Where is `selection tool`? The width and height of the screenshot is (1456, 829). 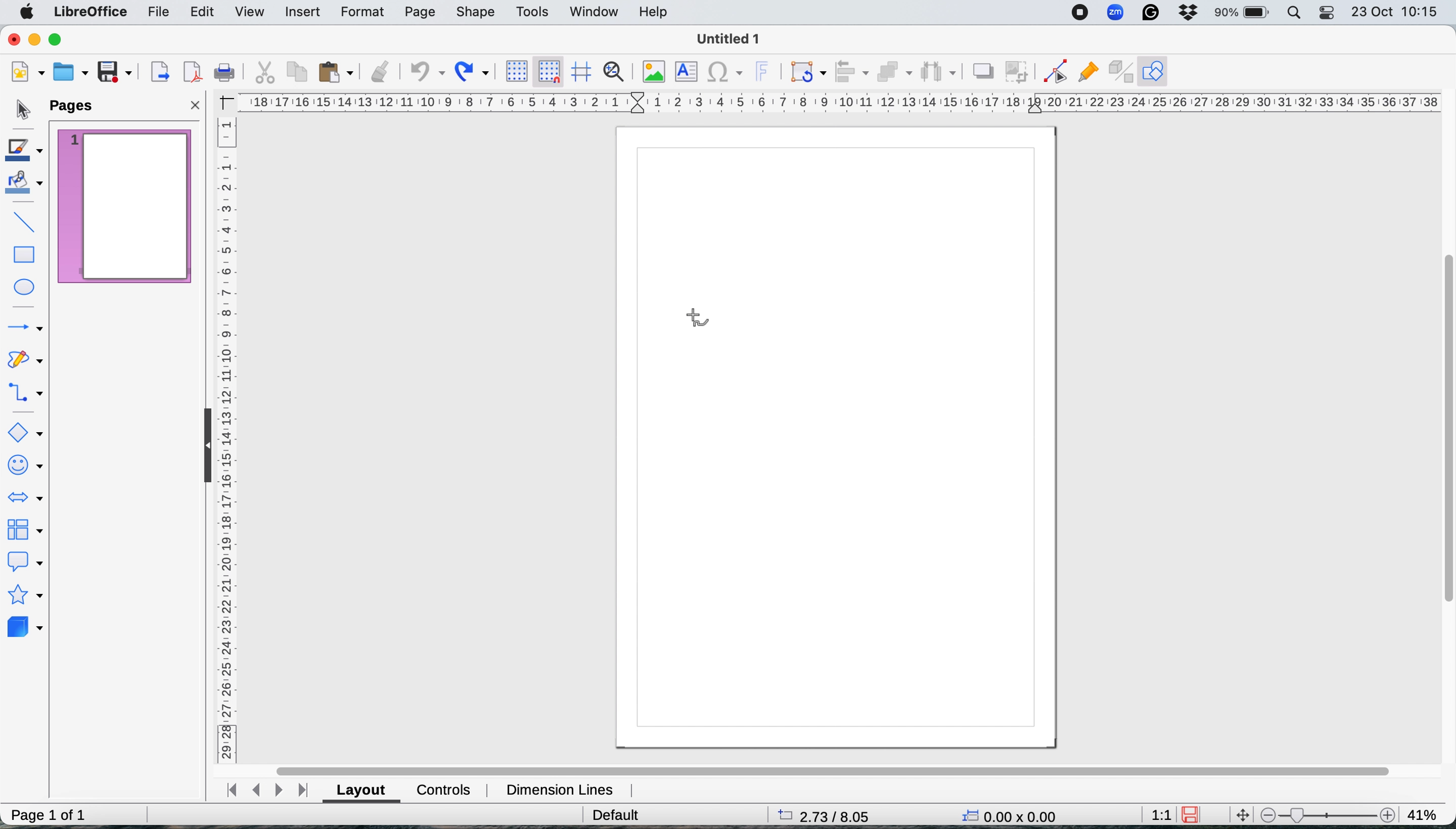 selection tool is located at coordinates (21, 108).